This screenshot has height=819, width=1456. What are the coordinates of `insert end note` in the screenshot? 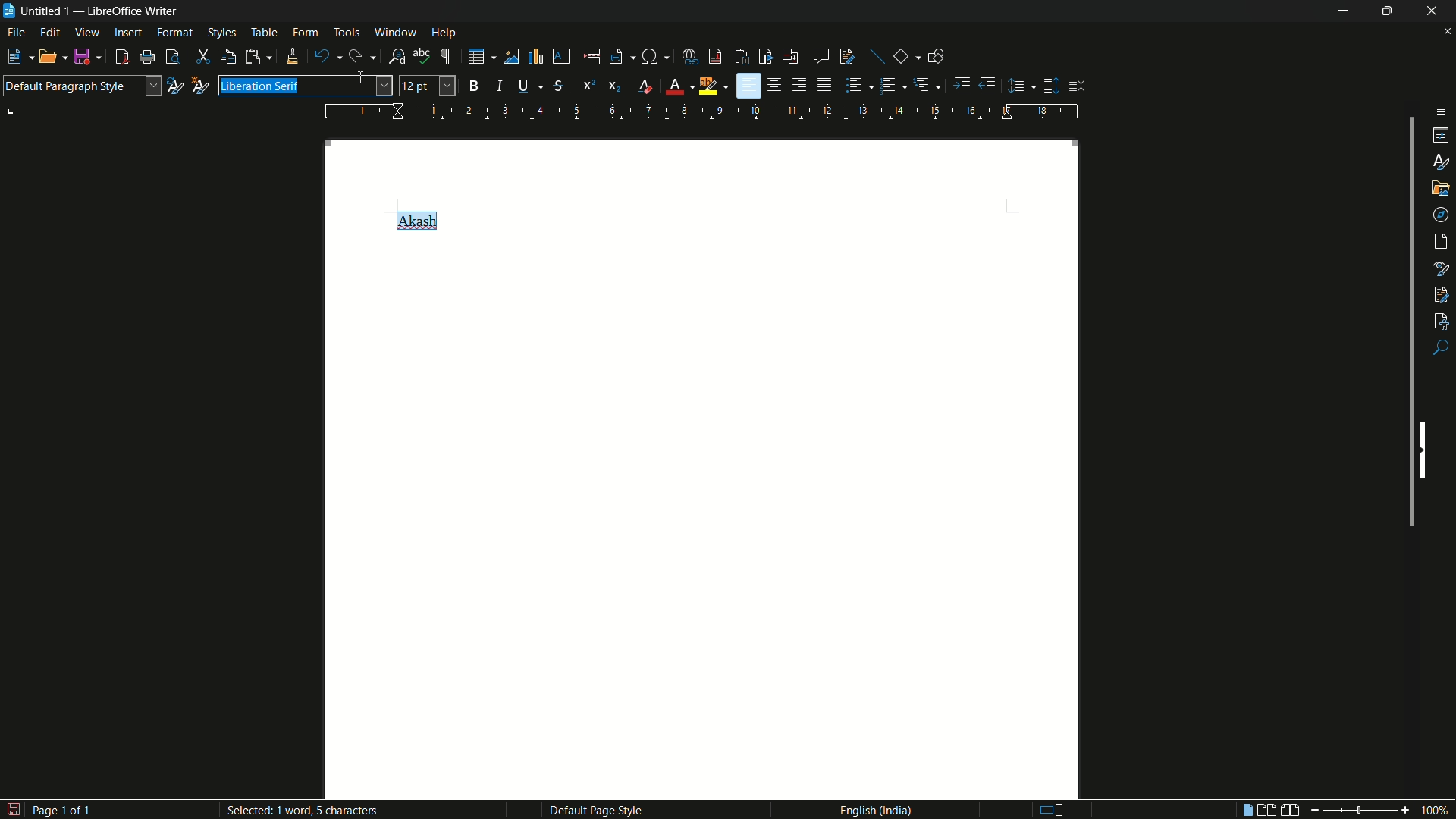 It's located at (742, 58).